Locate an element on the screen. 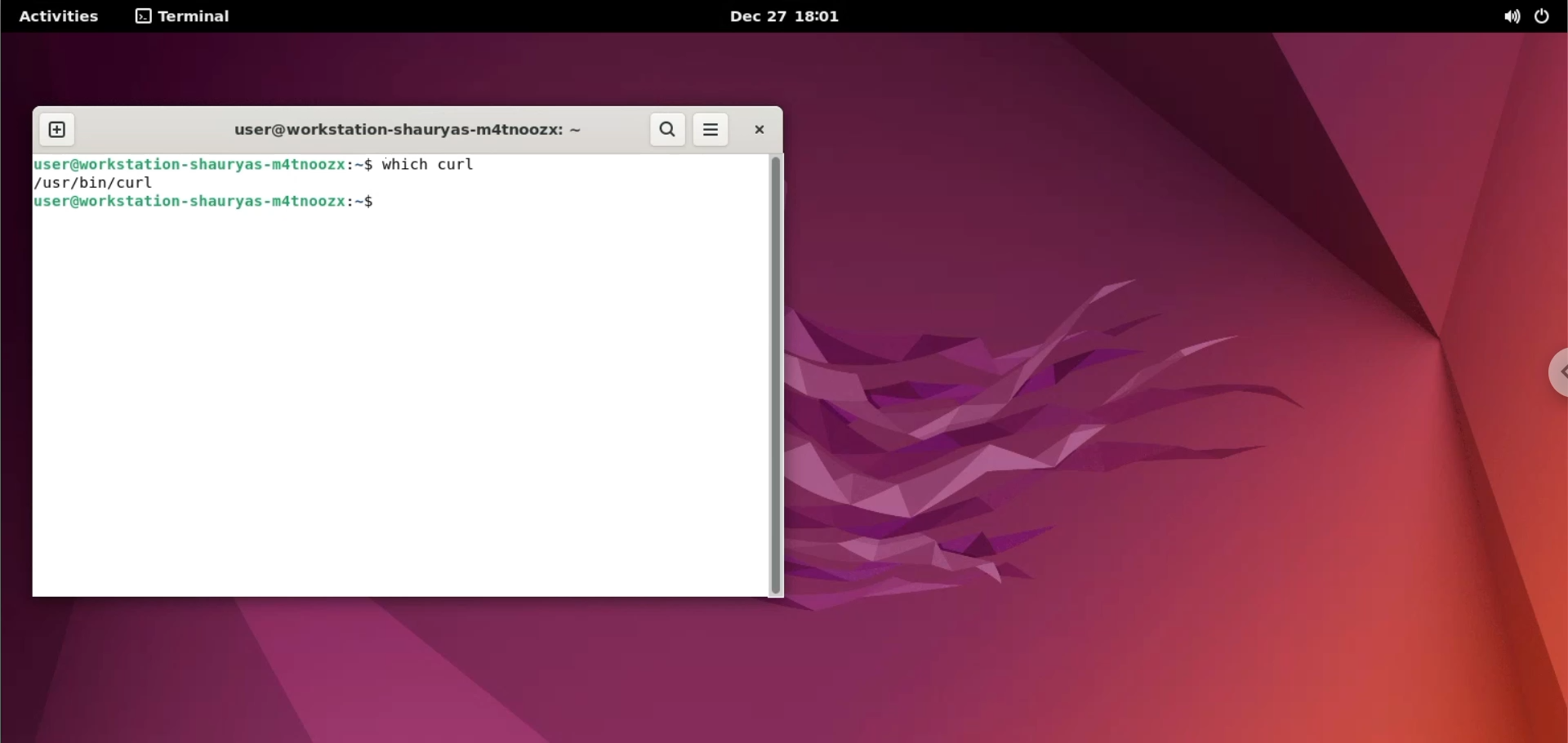 The width and height of the screenshot is (1568, 743).  user@workstation-shauryas-m4tnoozx: ~ is located at coordinates (204, 164).